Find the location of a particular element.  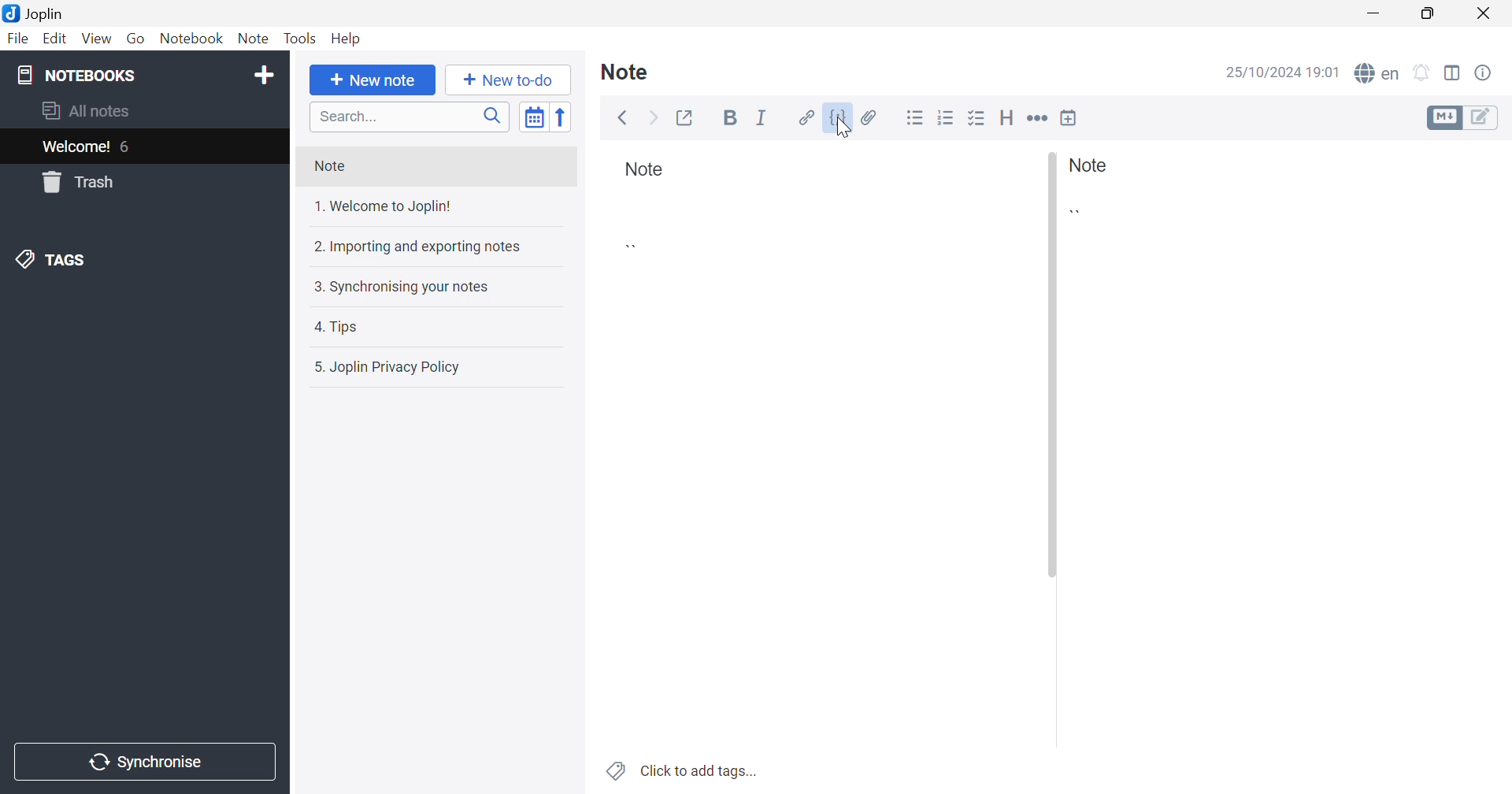

Reverse sort order is located at coordinates (563, 117).